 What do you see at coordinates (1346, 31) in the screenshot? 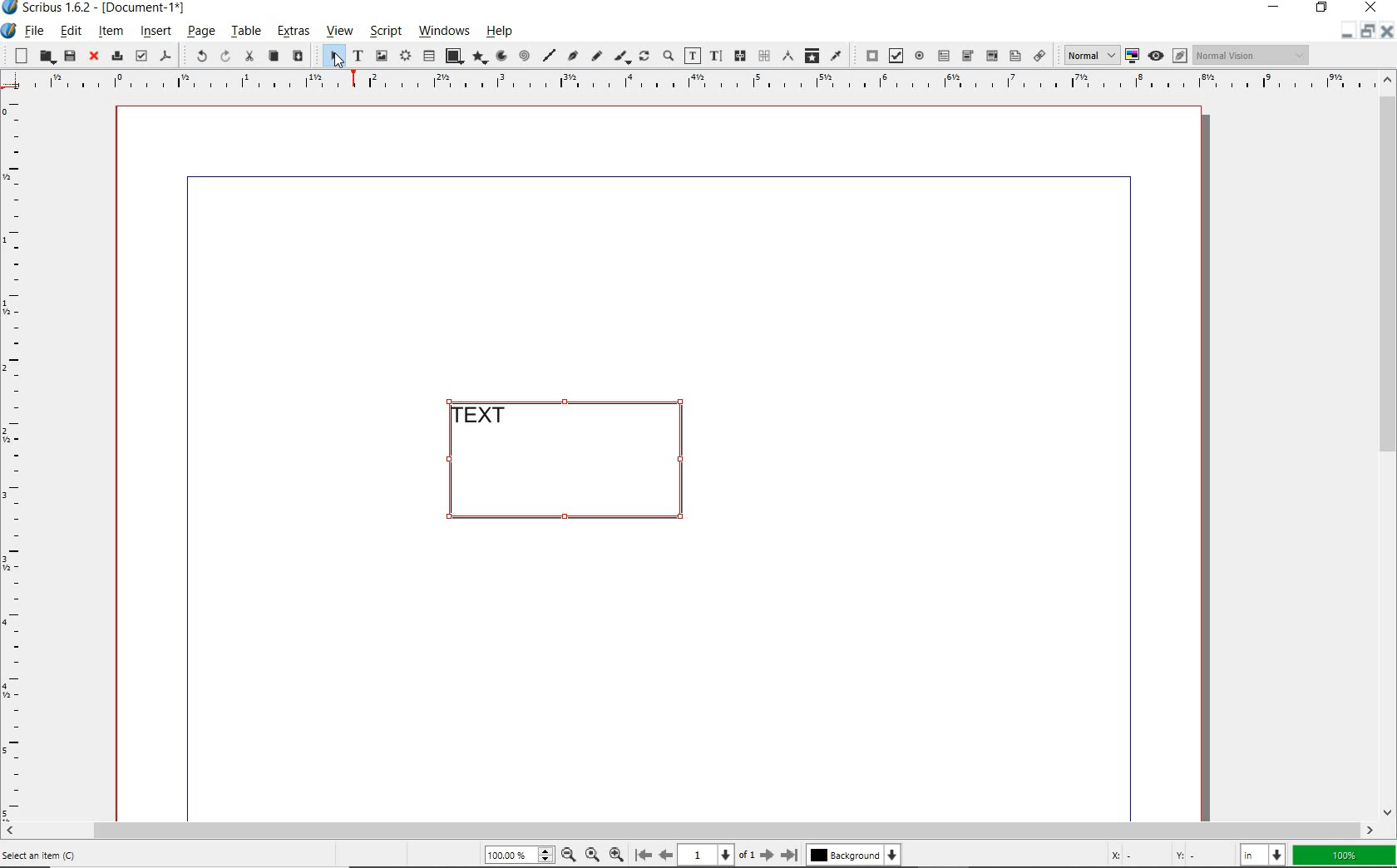
I see `Restore Down` at bounding box center [1346, 31].